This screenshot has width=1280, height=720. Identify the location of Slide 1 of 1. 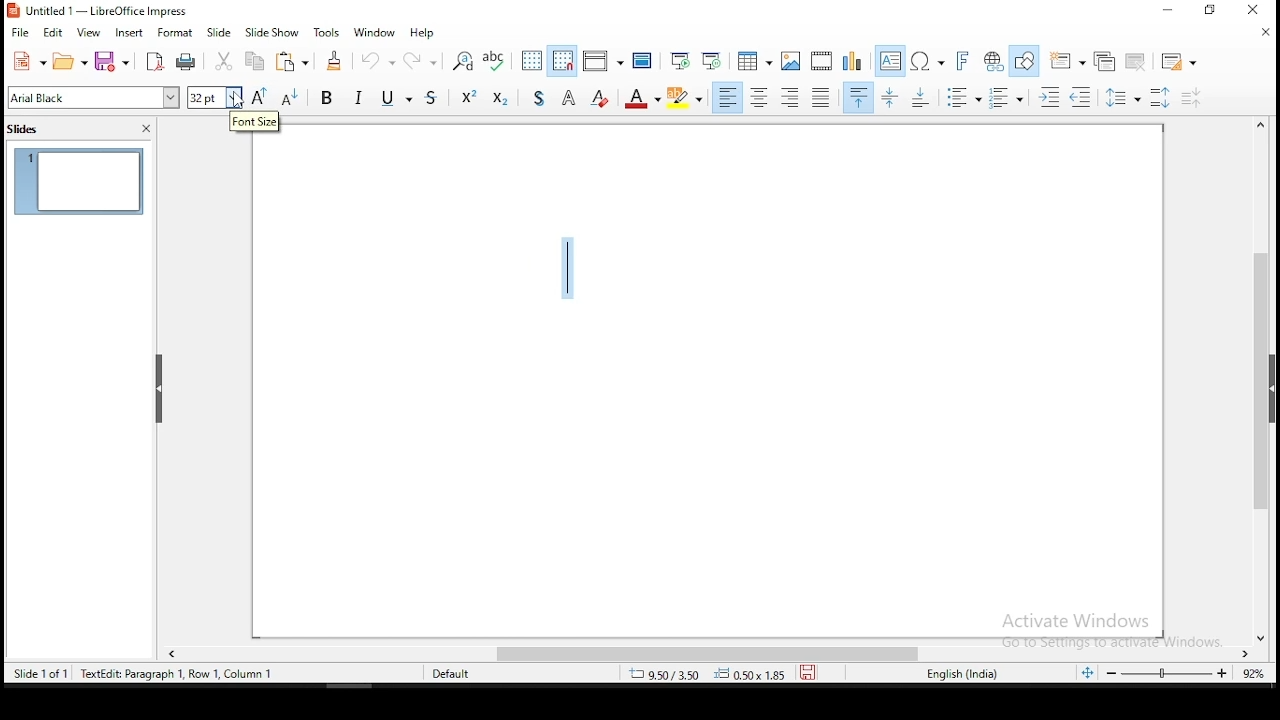
(138, 672).